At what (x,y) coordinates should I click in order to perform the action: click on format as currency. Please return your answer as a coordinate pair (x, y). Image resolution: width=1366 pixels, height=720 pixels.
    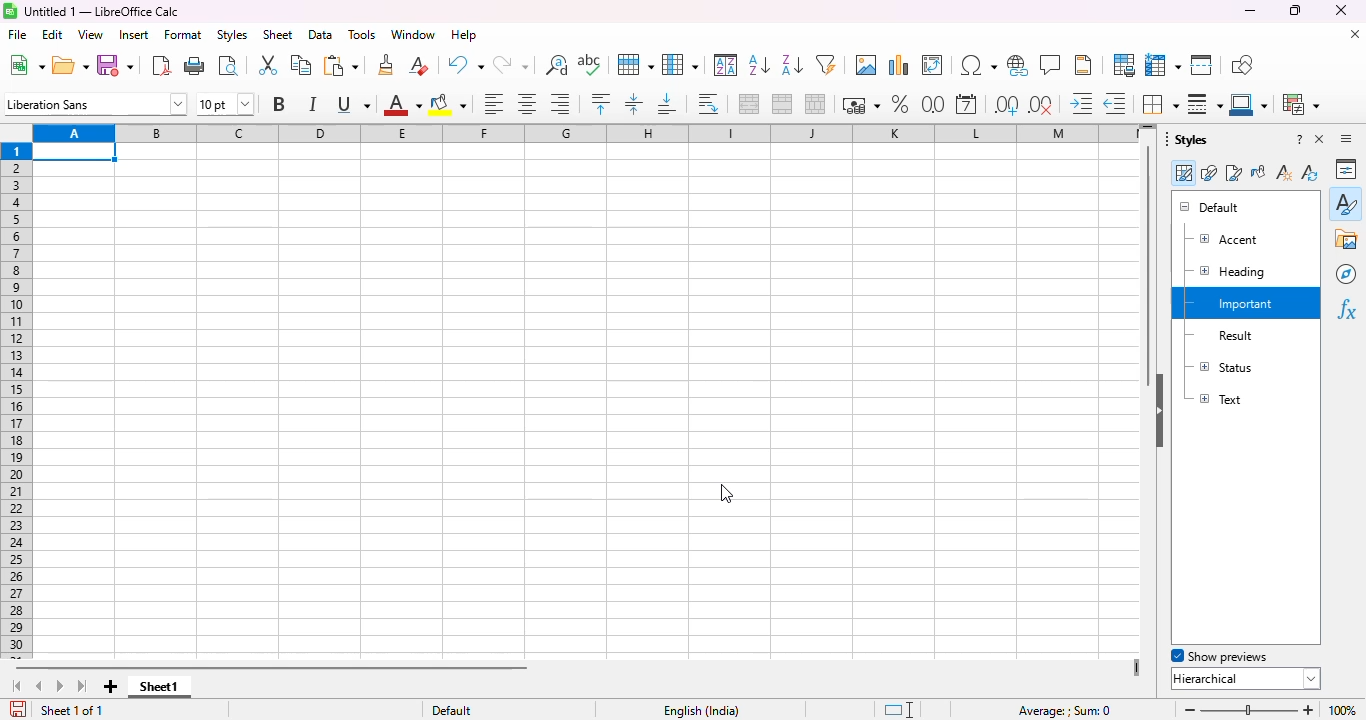
    Looking at the image, I should click on (860, 104).